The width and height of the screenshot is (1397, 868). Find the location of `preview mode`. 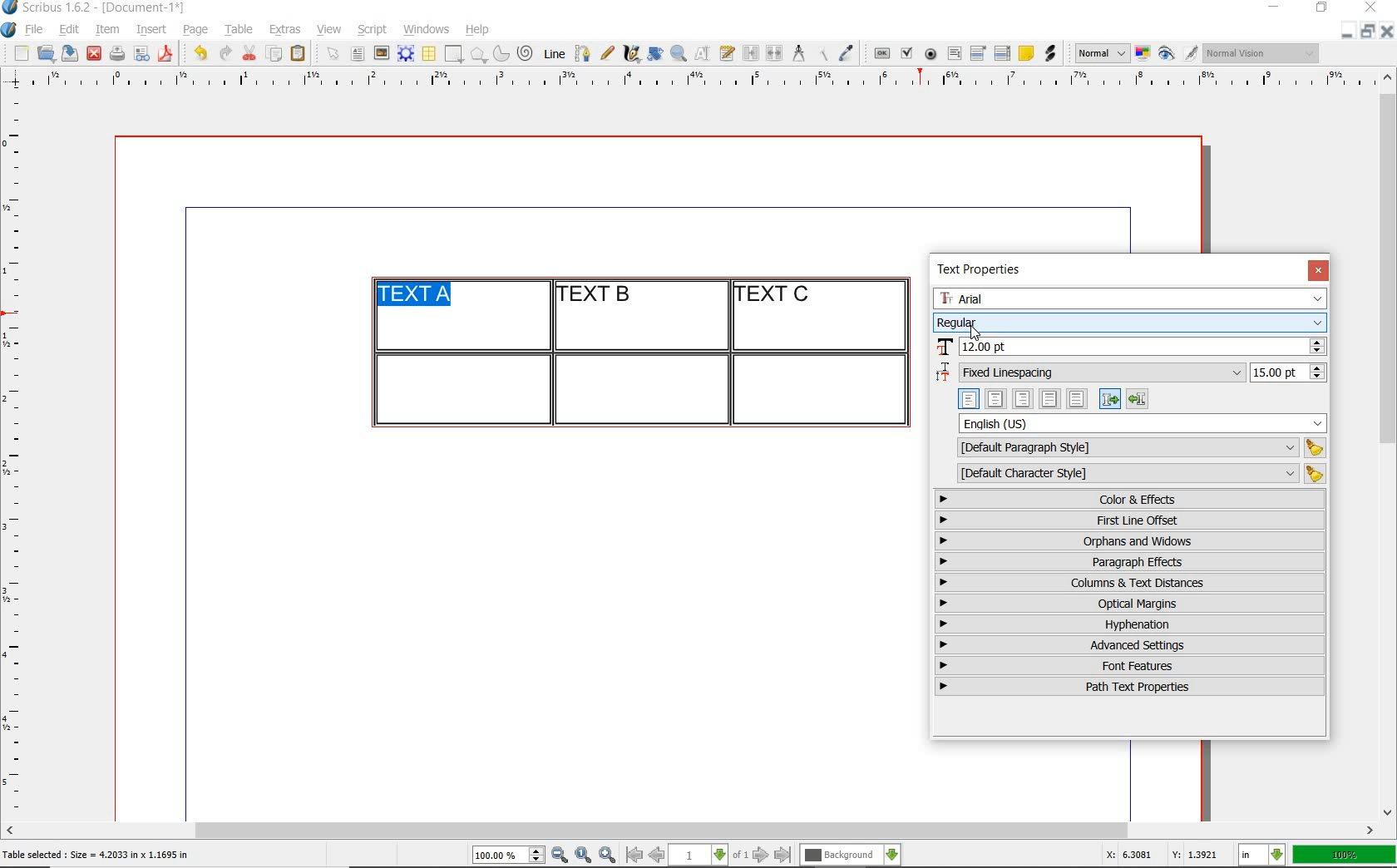

preview mode is located at coordinates (1178, 54).